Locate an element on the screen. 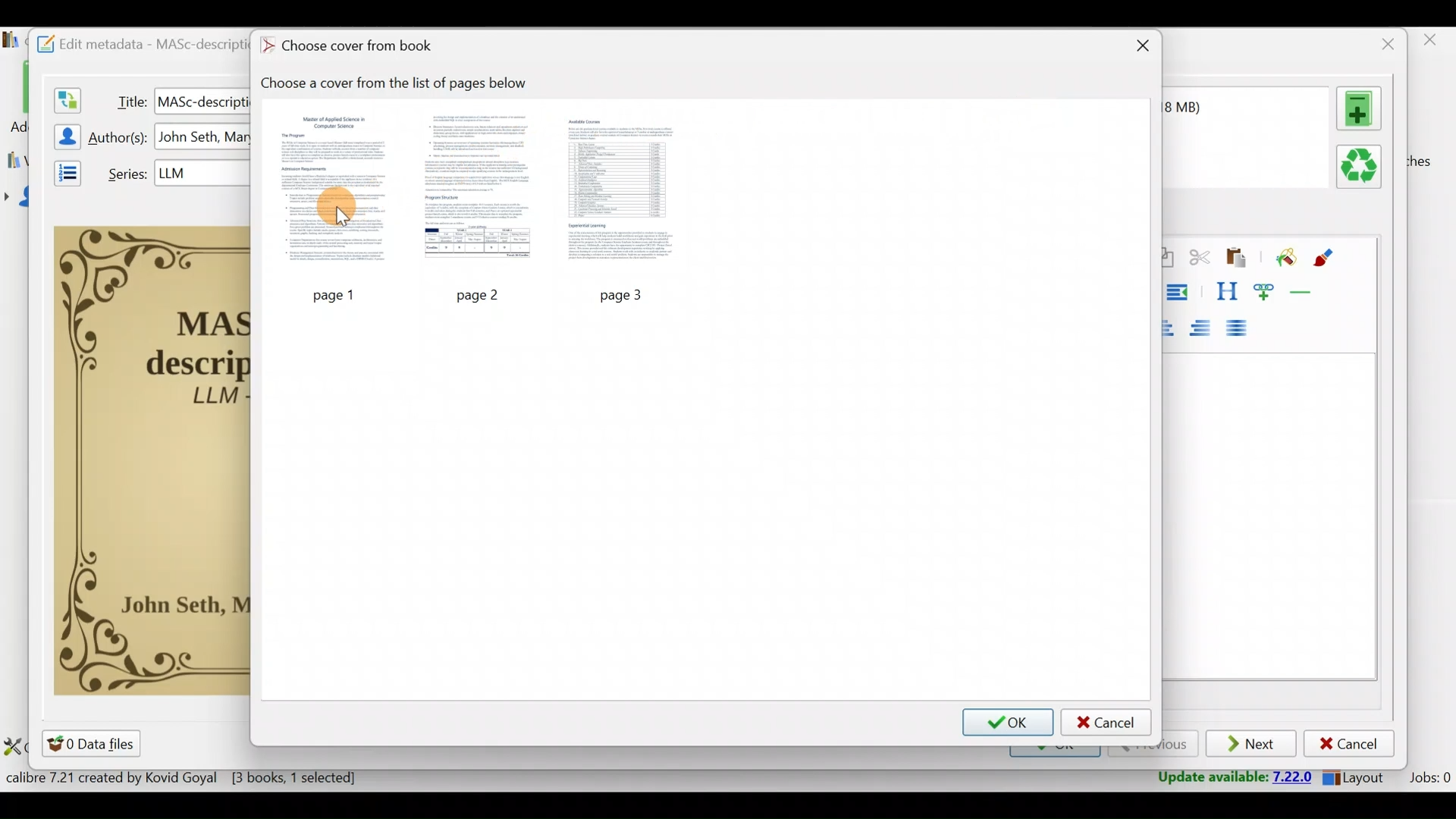 The width and height of the screenshot is (1456, 819). Page 2 is located at coordinates (479, 190).